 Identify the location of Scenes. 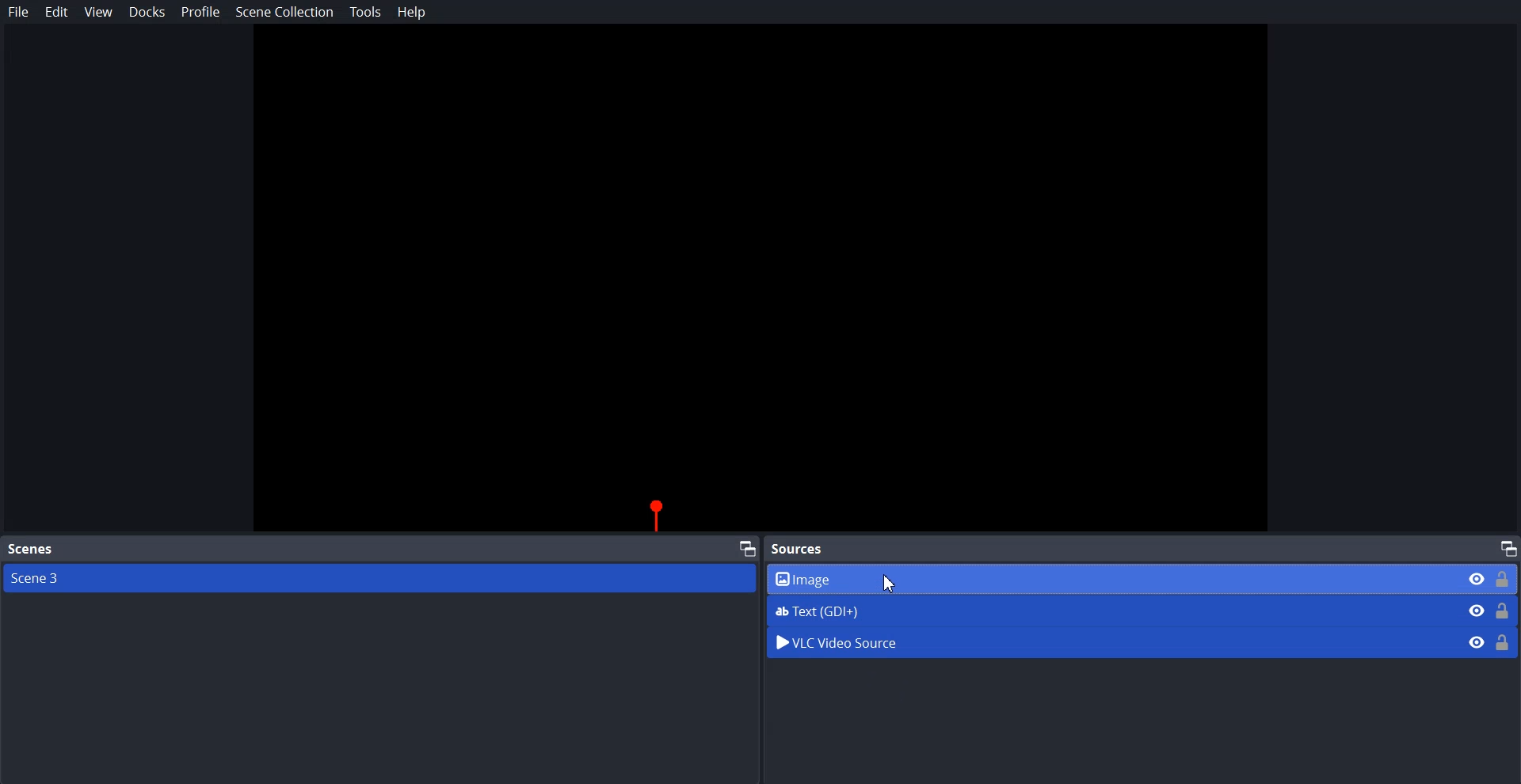
(30, 550).